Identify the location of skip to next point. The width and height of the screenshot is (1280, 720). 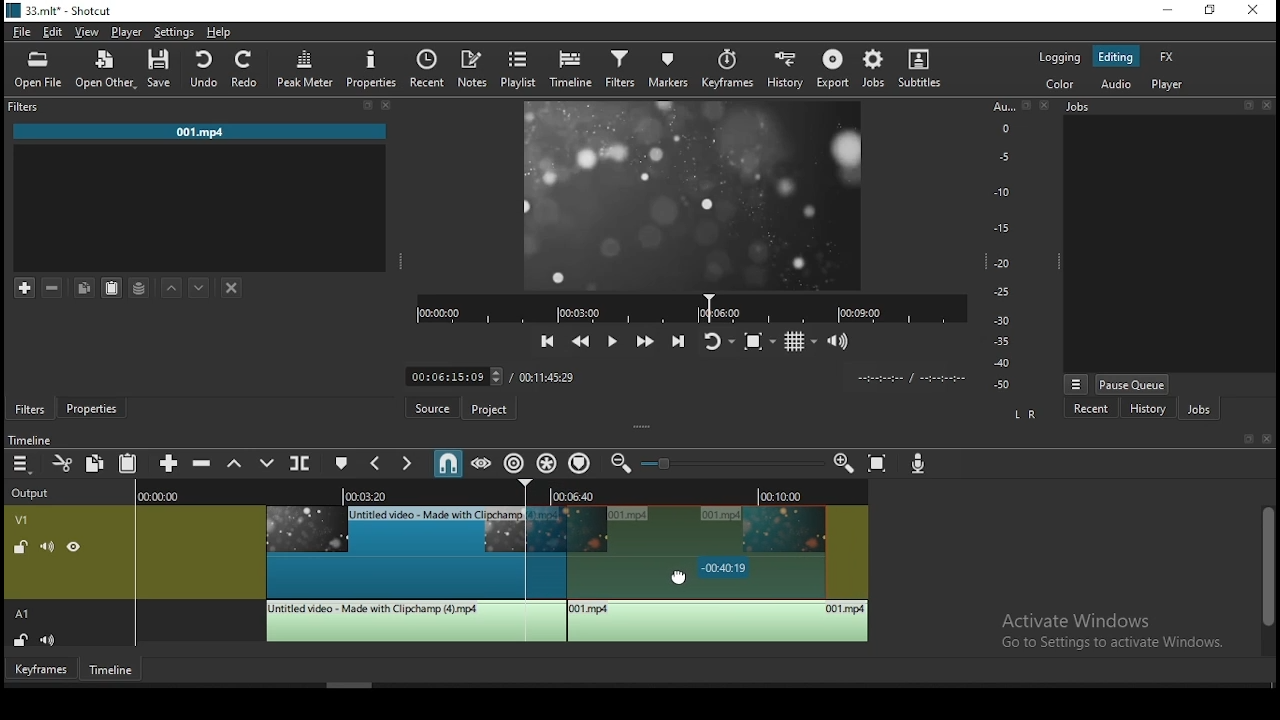
(678, 342).